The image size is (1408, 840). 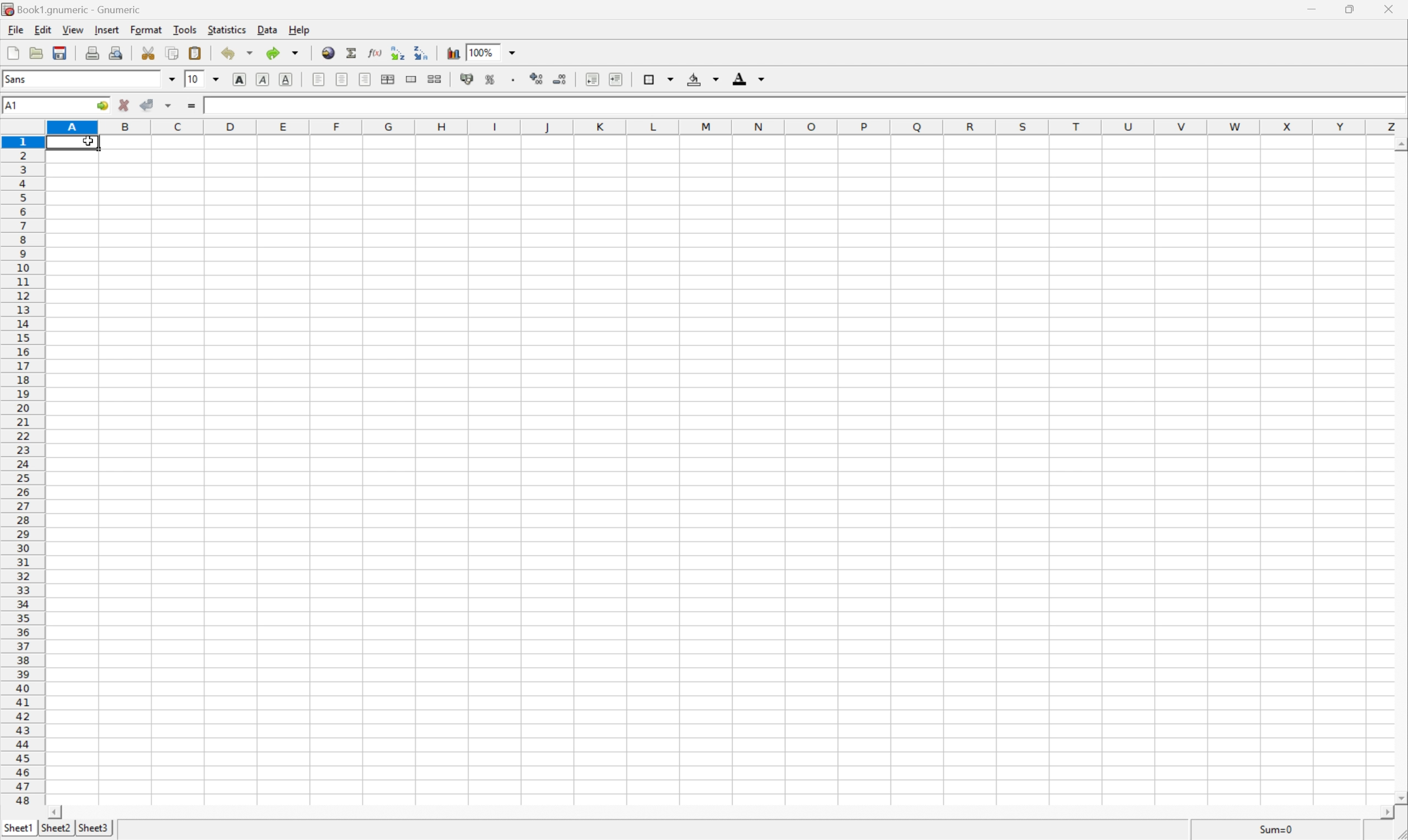 I want to click on redo, so click(x=284, y=53).